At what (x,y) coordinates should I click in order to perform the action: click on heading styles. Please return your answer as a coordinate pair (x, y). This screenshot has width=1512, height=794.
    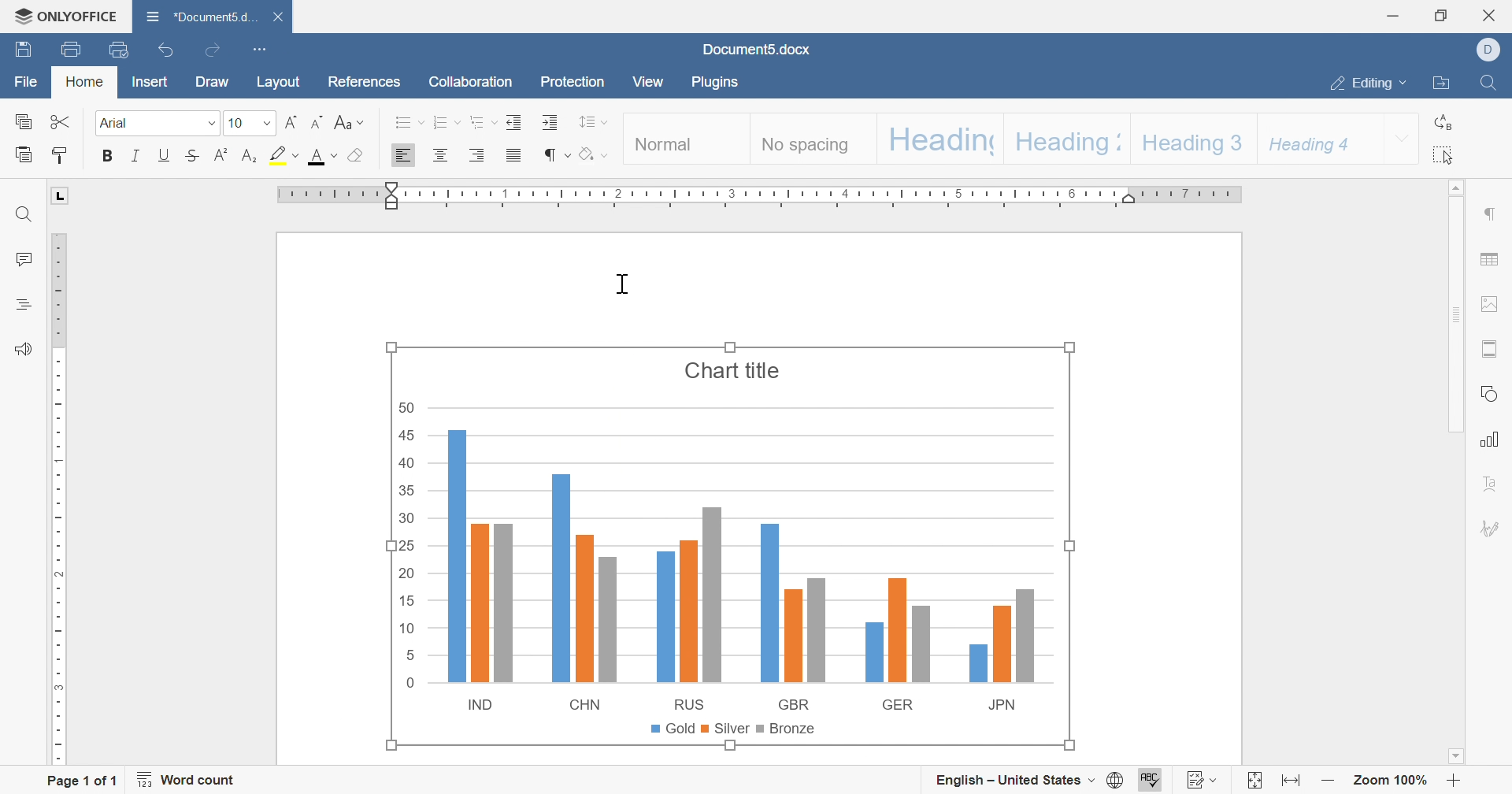
    Looking at the image, I should click on (1001, 138).